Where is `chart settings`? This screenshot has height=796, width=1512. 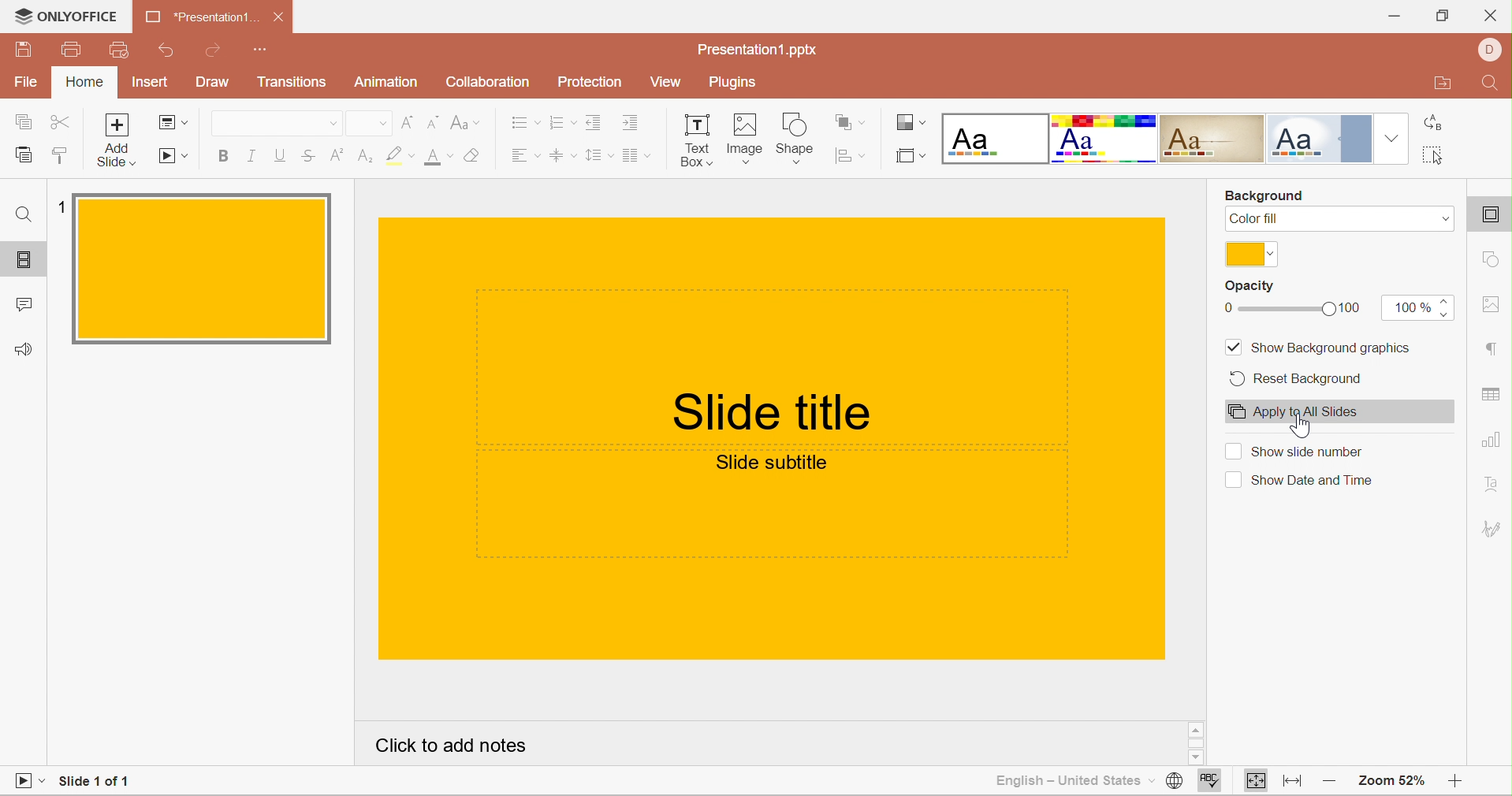 chart settings is located at coordinates (1492, 440).